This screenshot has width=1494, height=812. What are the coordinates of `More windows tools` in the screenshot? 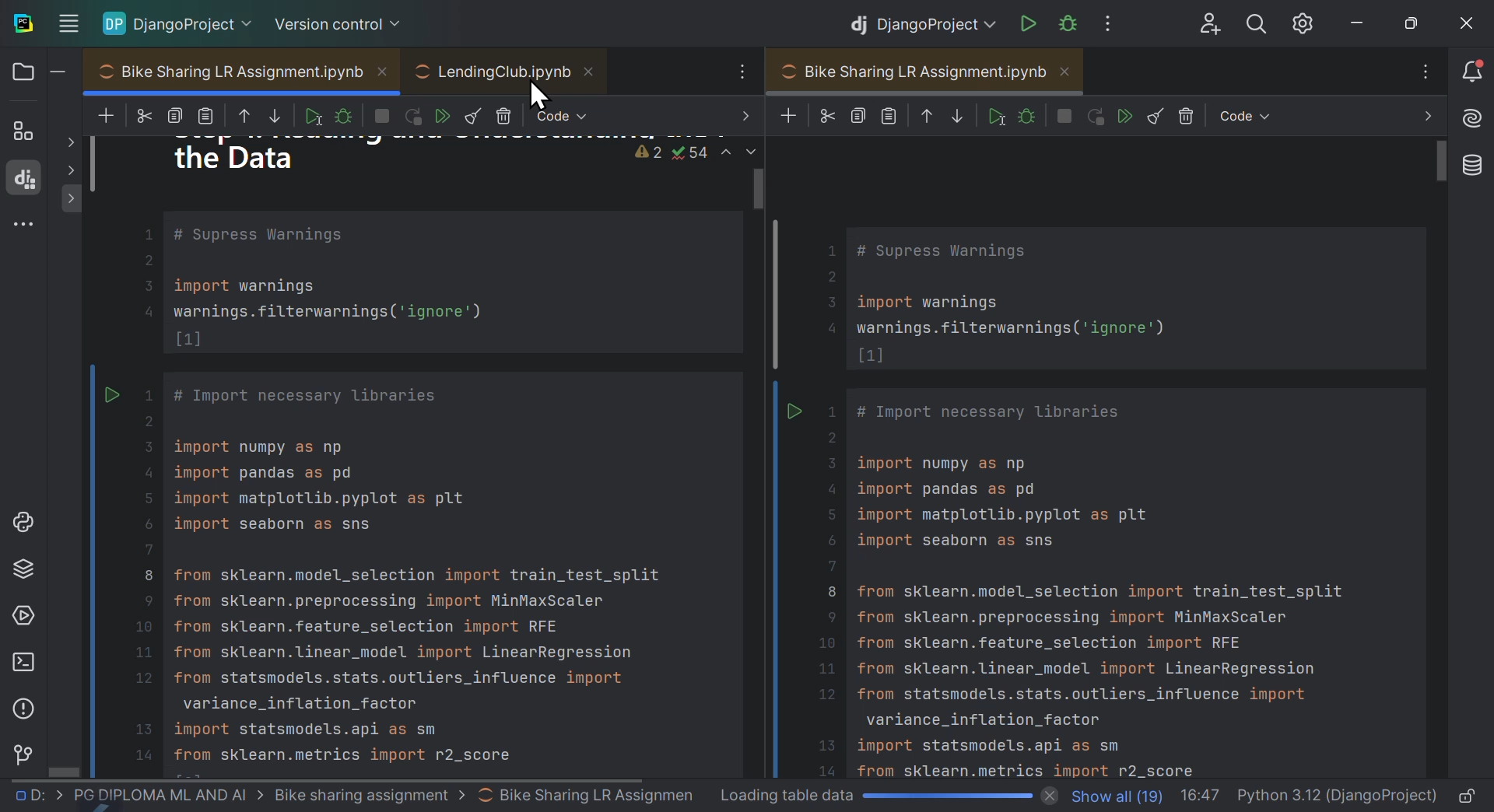 It's located at (26, 227).